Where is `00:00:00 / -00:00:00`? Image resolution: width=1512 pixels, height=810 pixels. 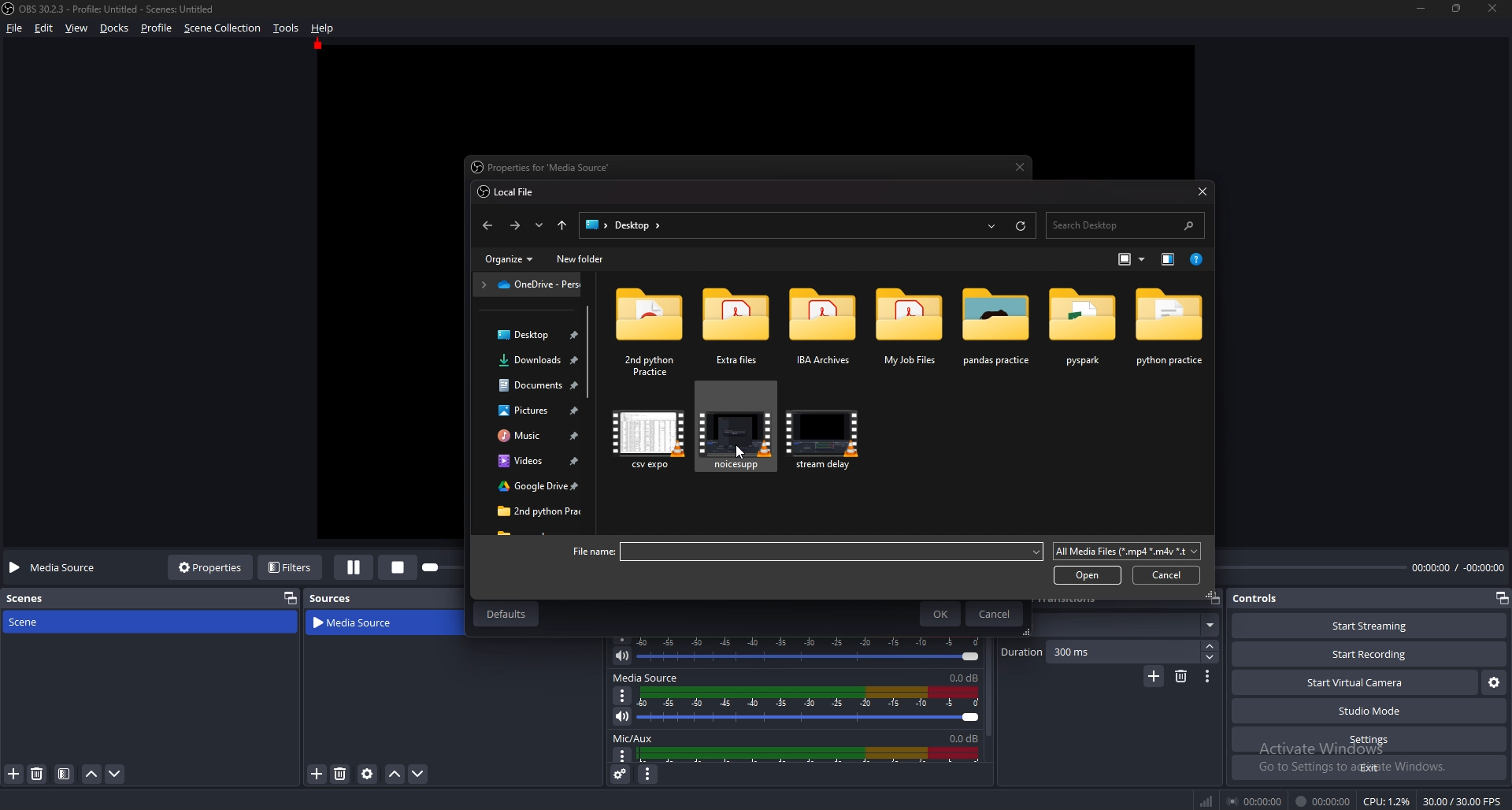 00:00:00 / -00:00:00 is located at coordinates (1458, 567).